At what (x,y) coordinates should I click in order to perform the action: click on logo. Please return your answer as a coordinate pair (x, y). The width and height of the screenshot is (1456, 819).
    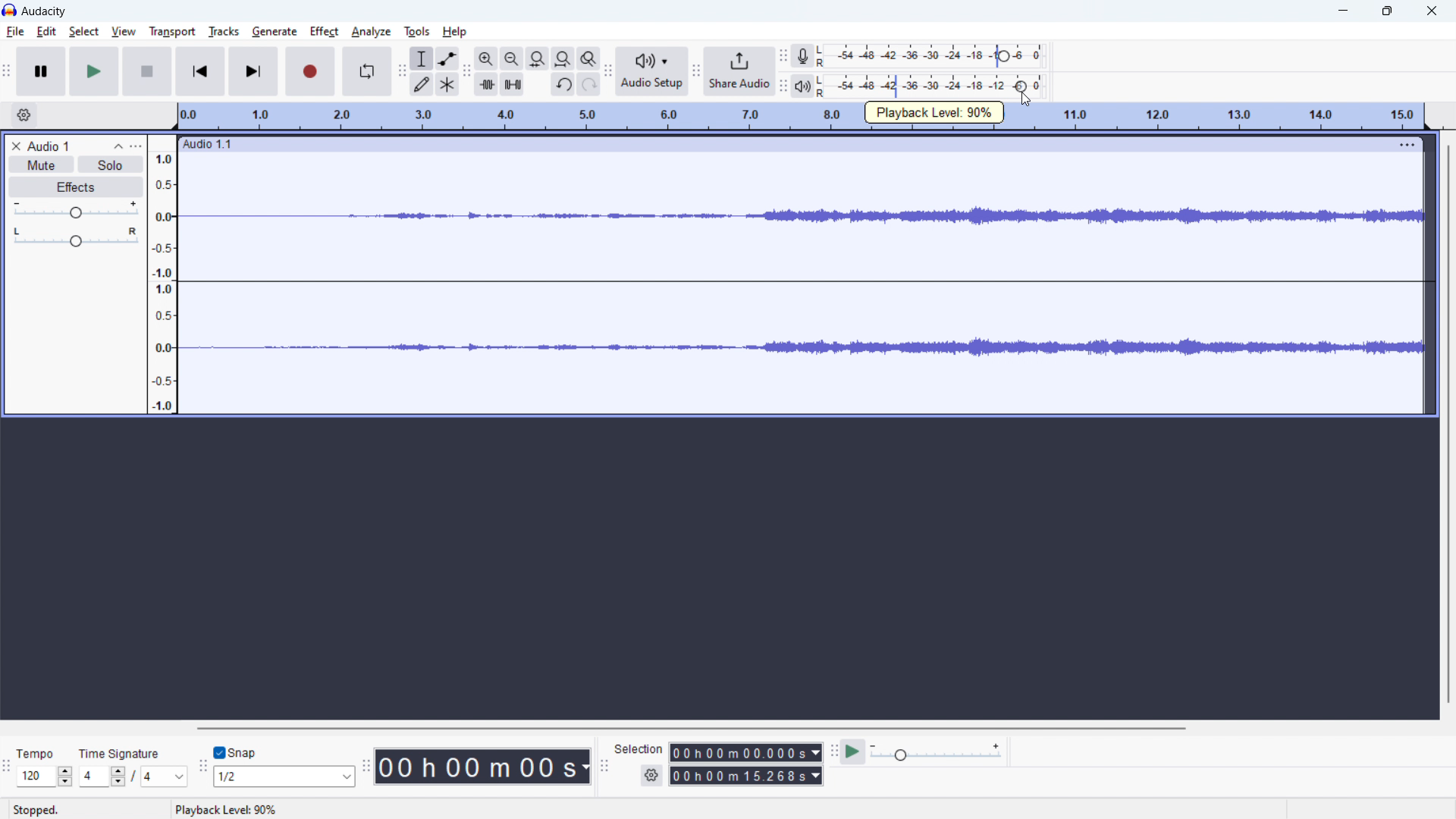
    Looking at the image, I should click on (9, 10).